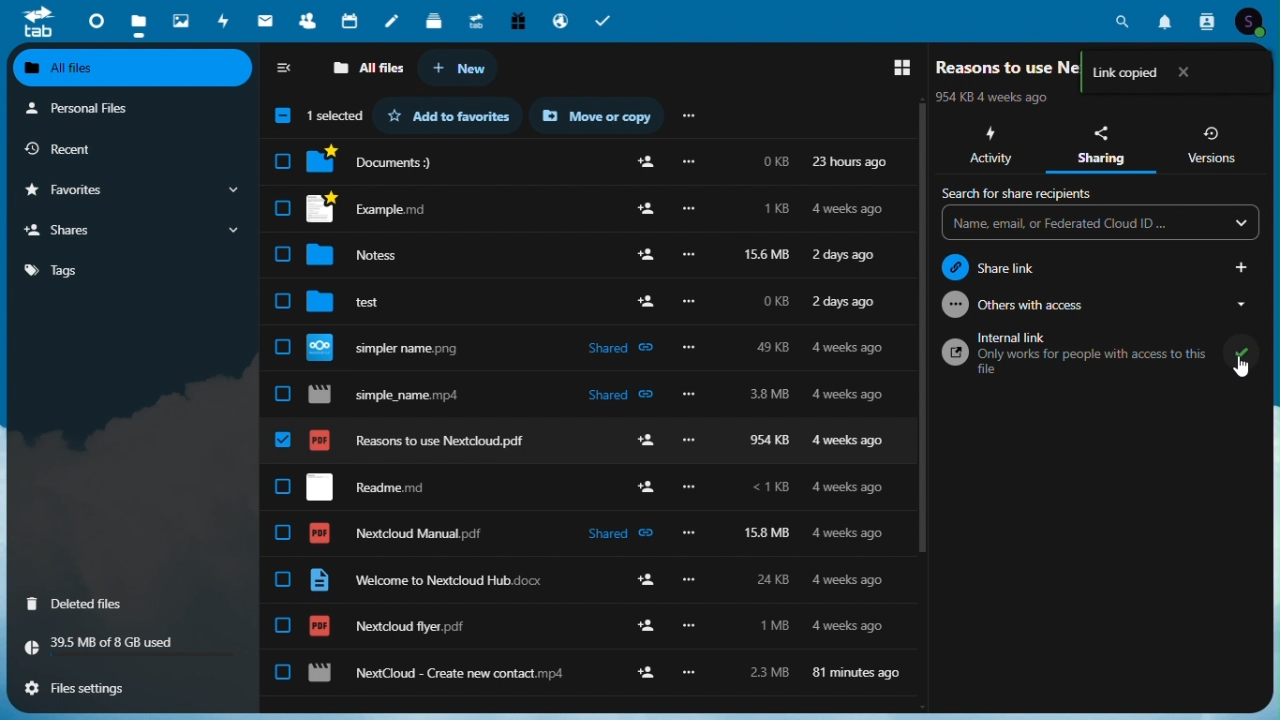 This screenshot has width=1280, height=720. I want to click on more options, so click(689, 162).